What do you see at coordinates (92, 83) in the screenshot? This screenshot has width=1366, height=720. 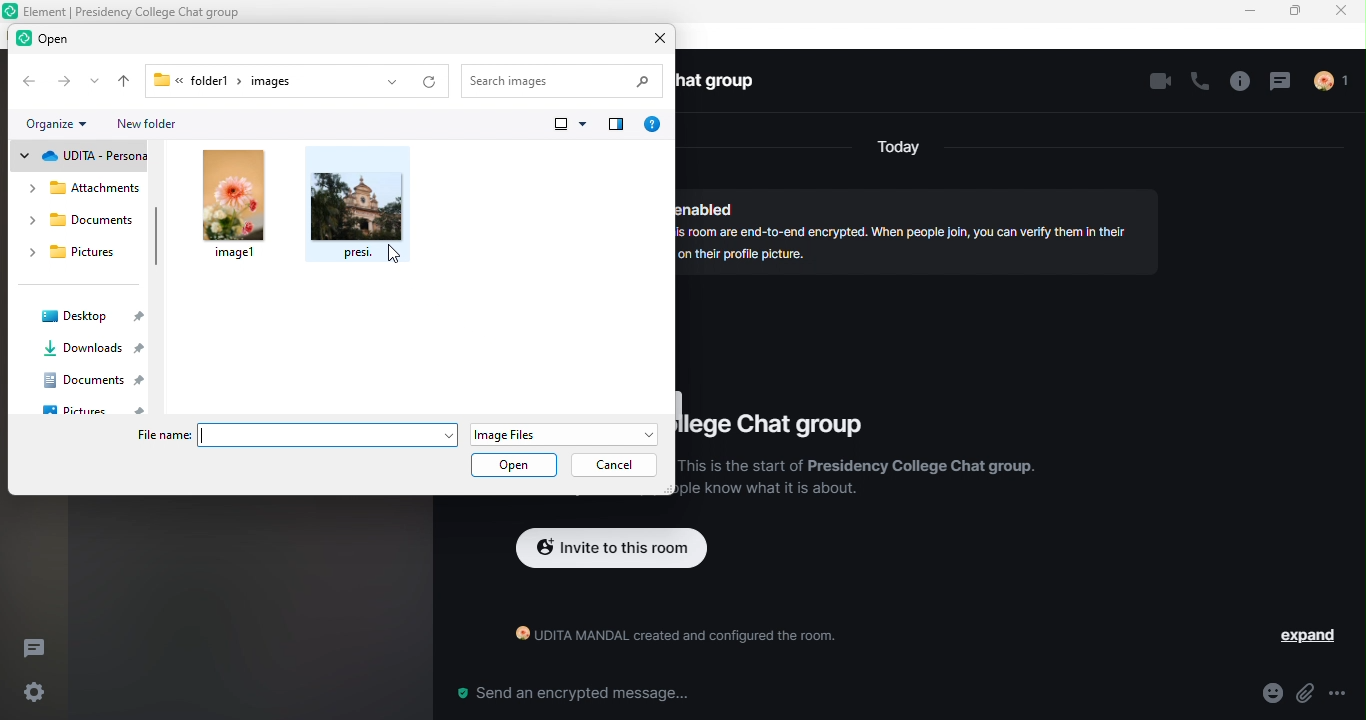 I see `recent location` at bounding box center [92, 83].